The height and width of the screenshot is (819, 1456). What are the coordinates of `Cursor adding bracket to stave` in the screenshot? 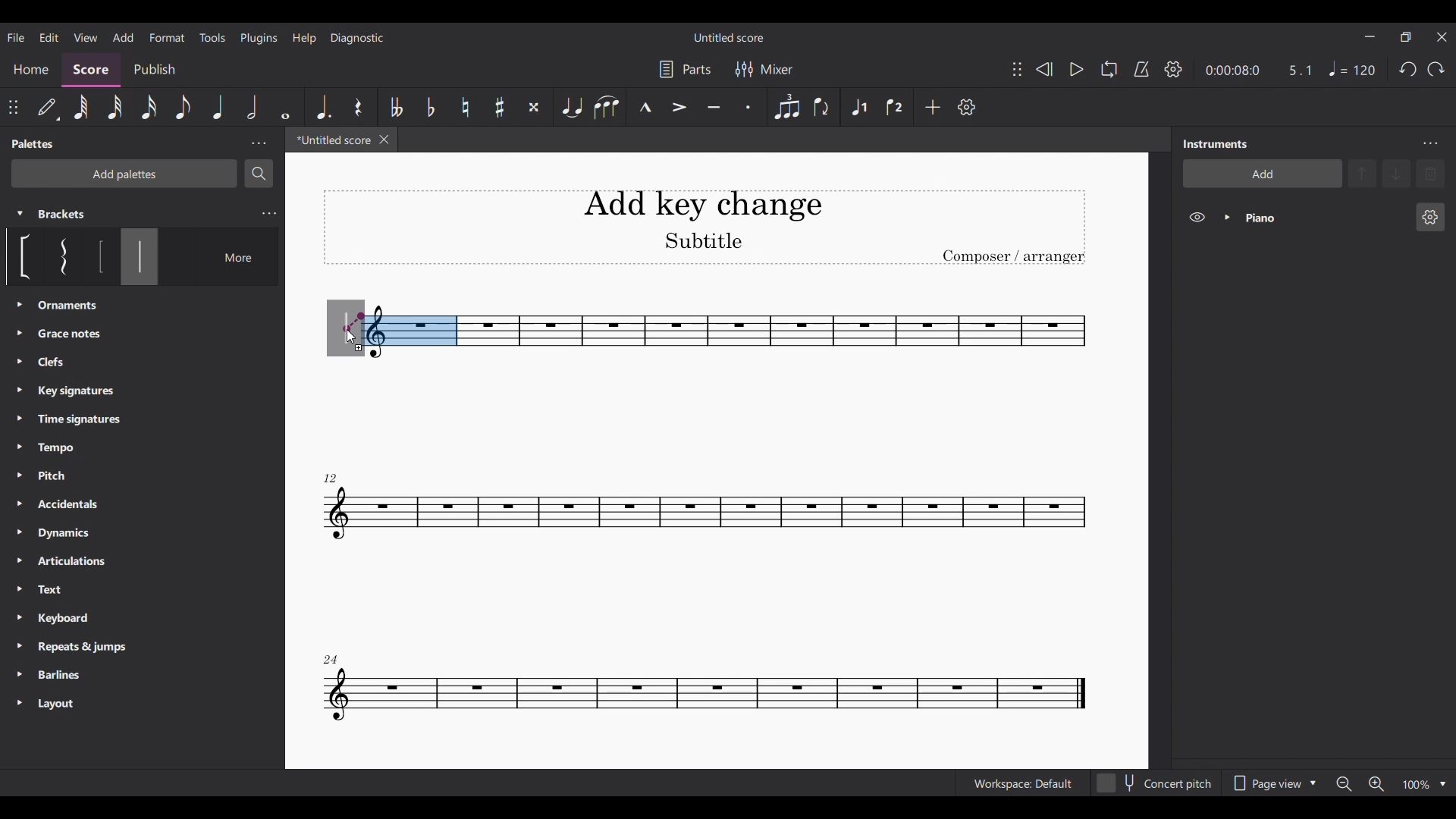 It's located at (350, 338).